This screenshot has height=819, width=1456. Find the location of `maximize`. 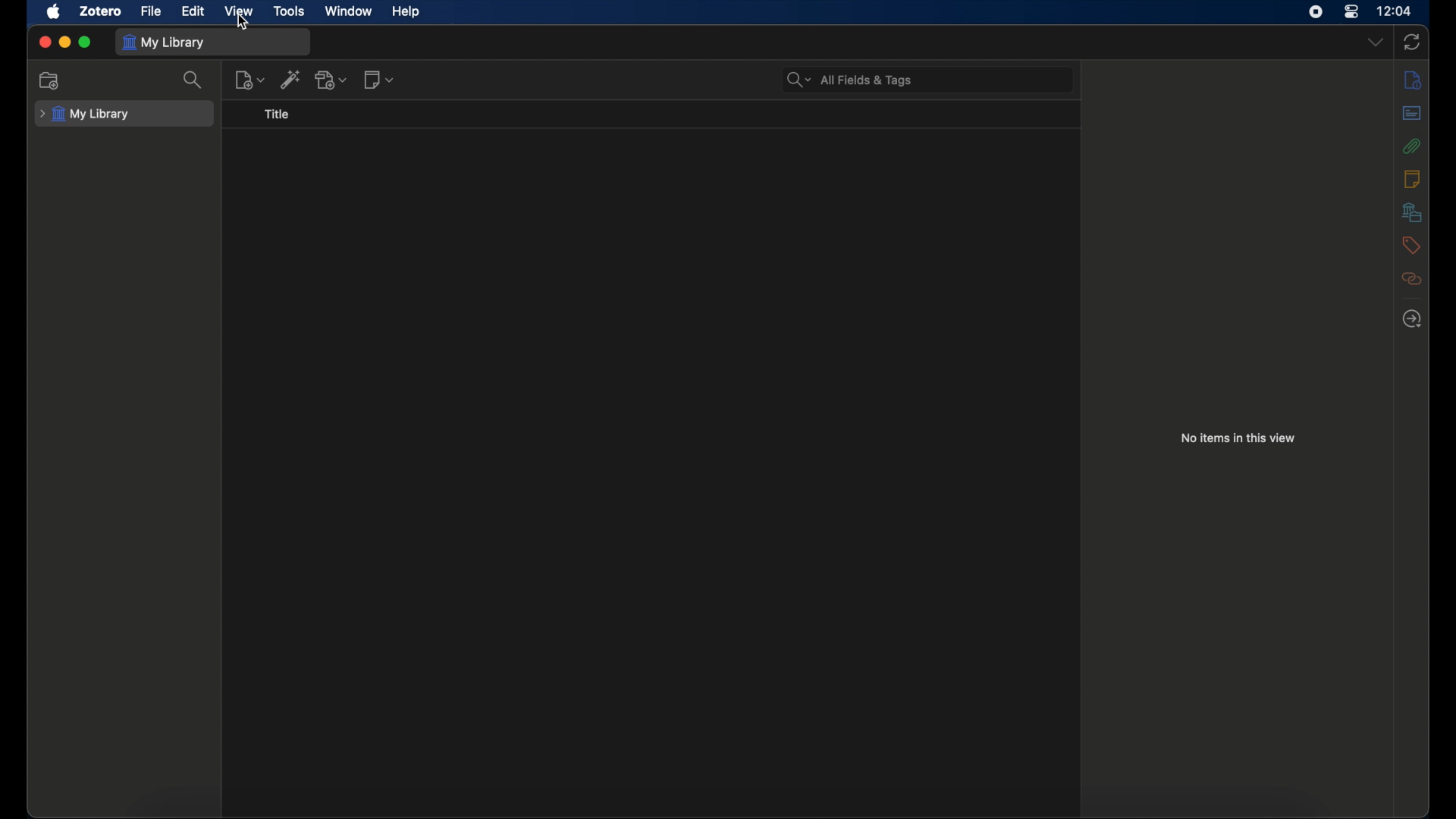

maximize is located at coordinates (86, 42).